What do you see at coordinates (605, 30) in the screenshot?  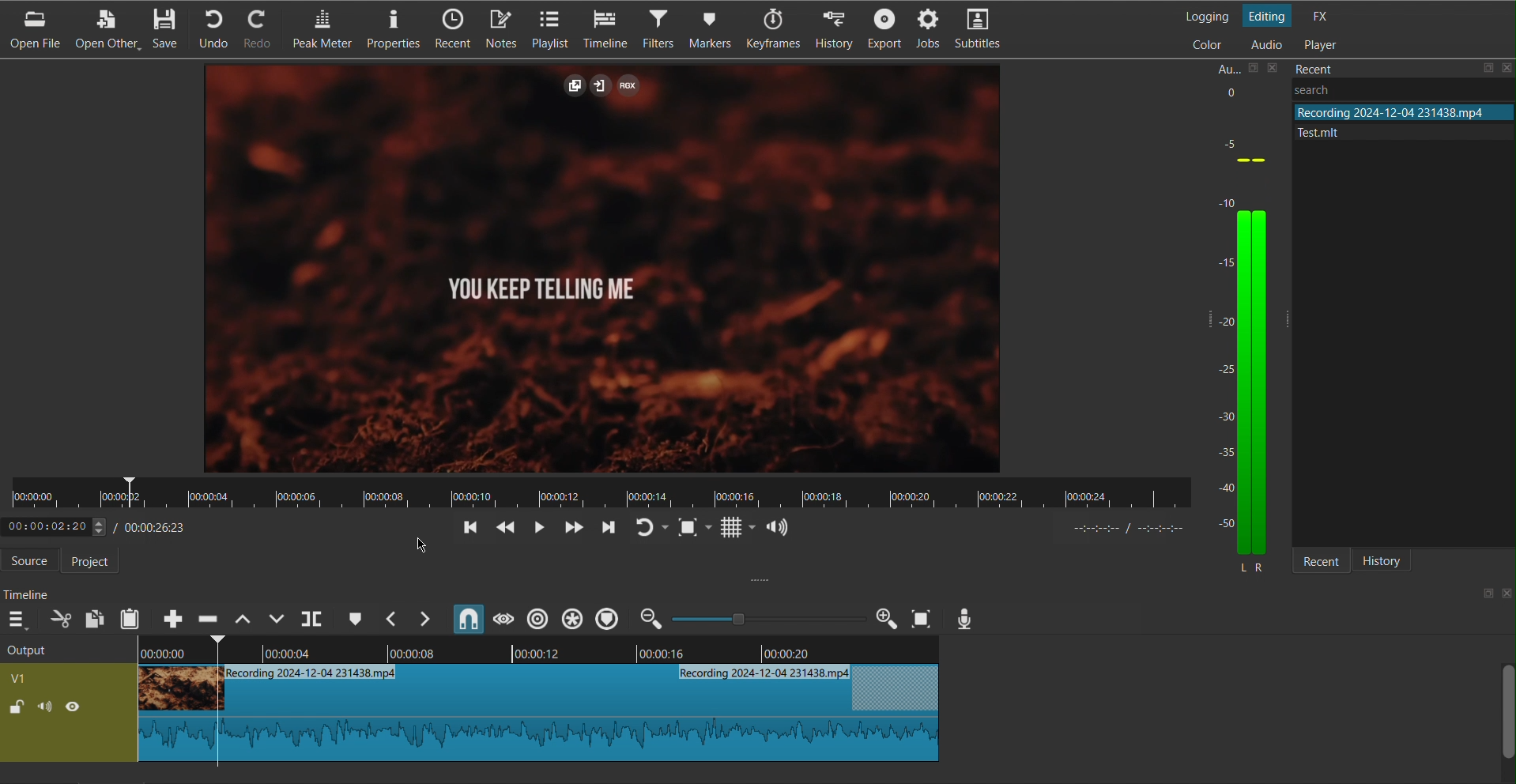 I see `Timeline` at bounding box center [605, 30].